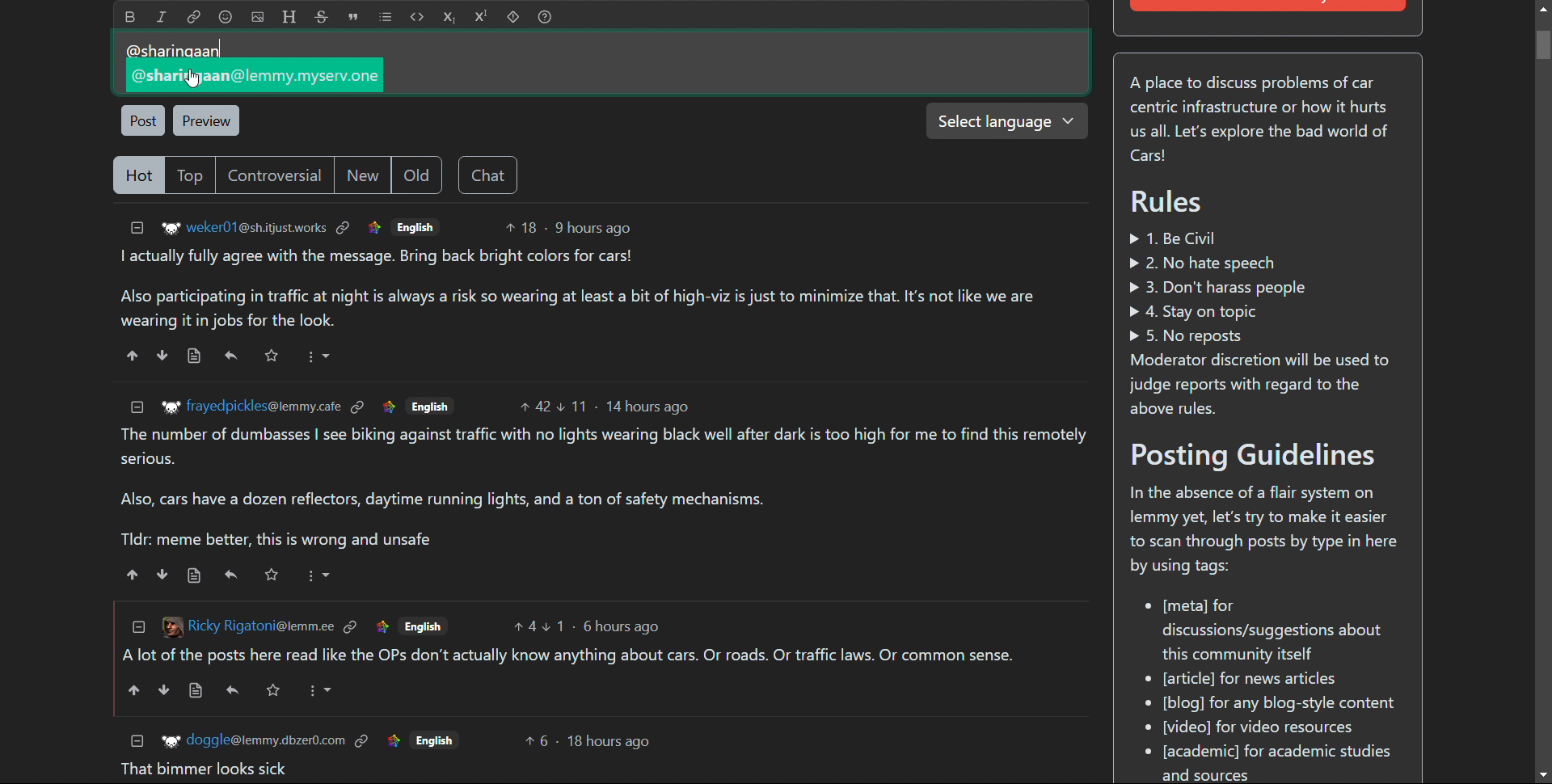  I want to click on Downvote 11, so click(575, 403).